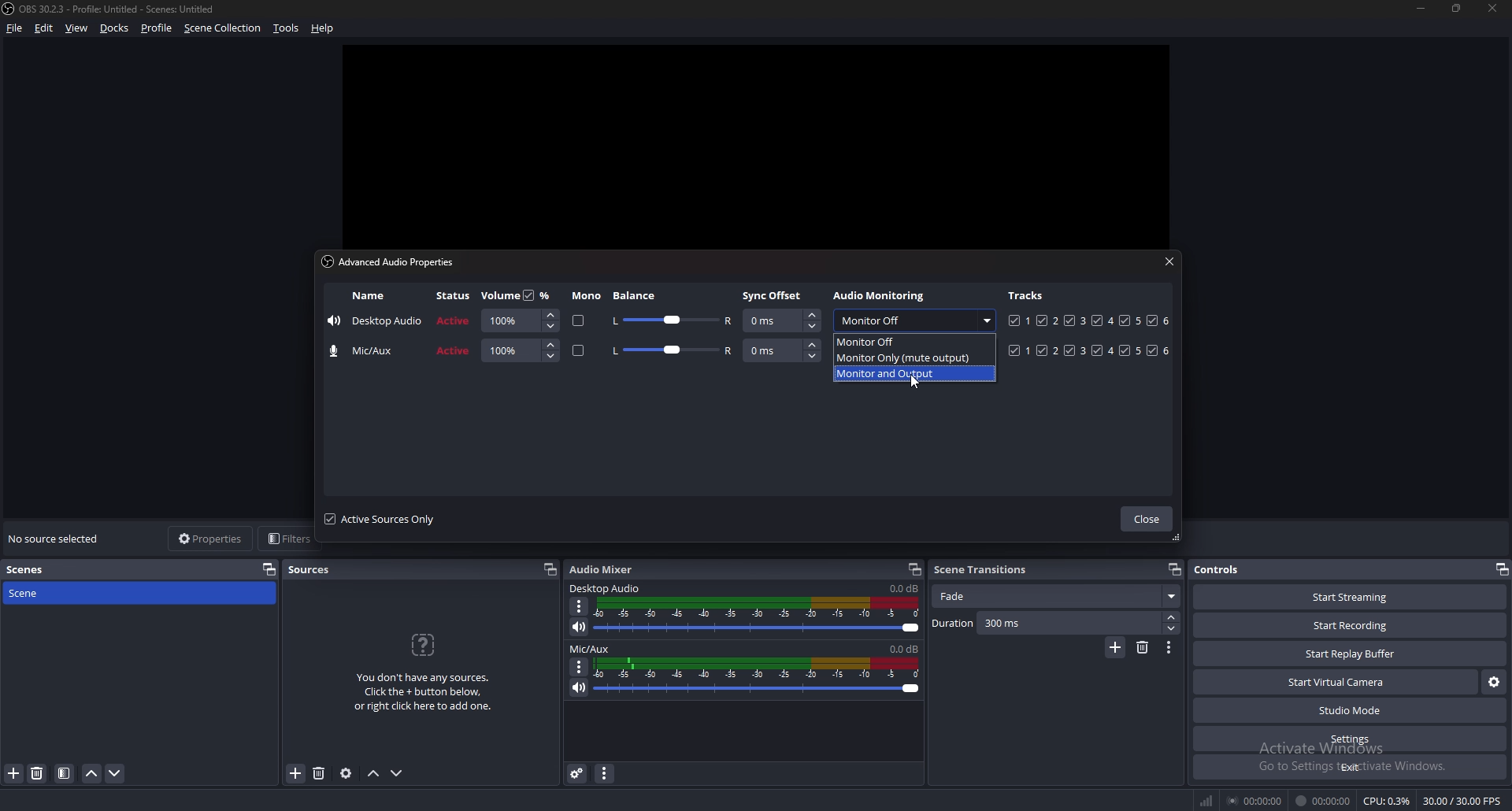 This screenshot has height=811, width=1512. Describe the element at coordinates (1325, 802) in the screenshot. I see ` 00:00:00` at that location.